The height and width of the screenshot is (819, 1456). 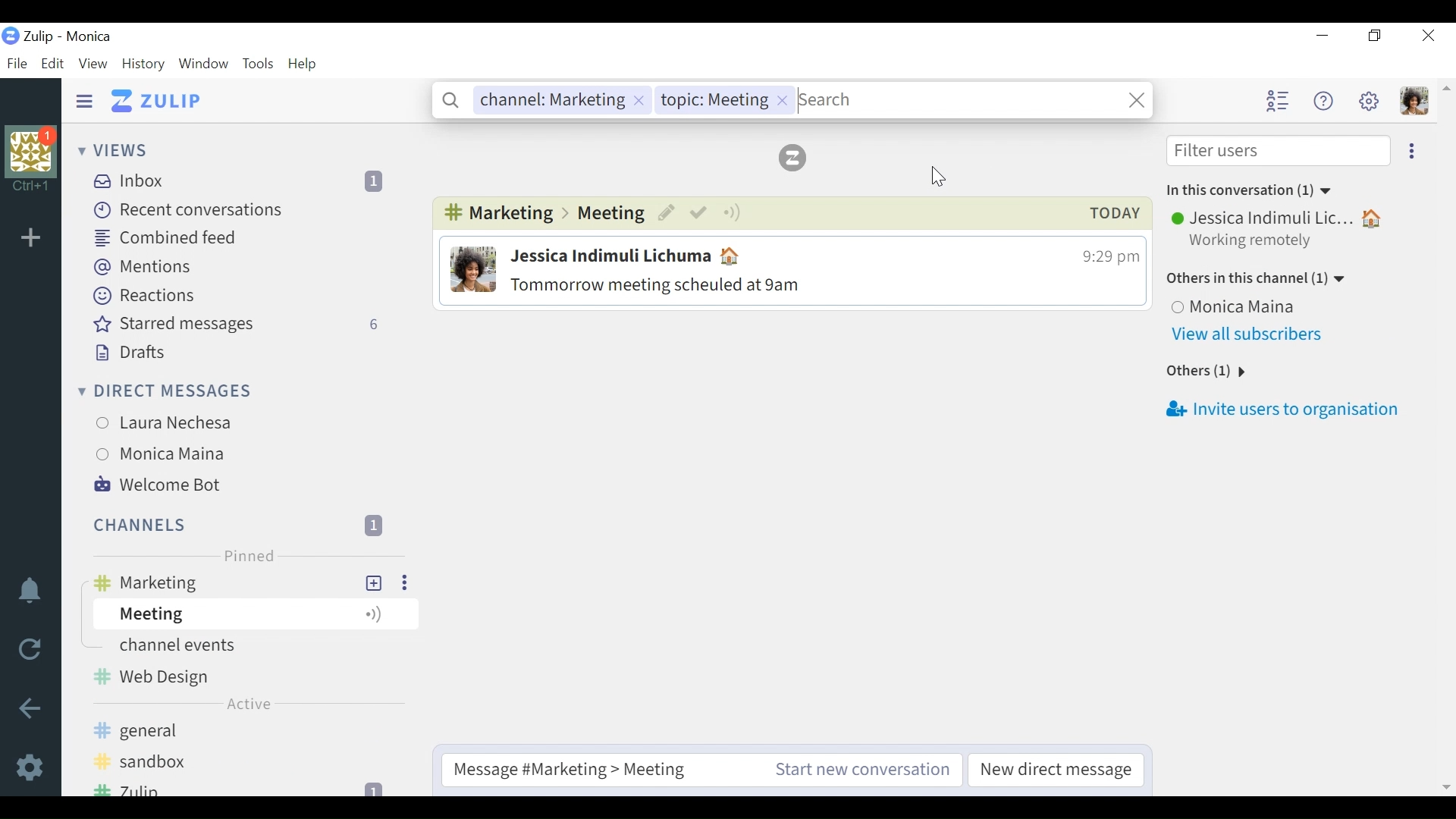 I want to click on minimize, so click(x=1320, y=35).